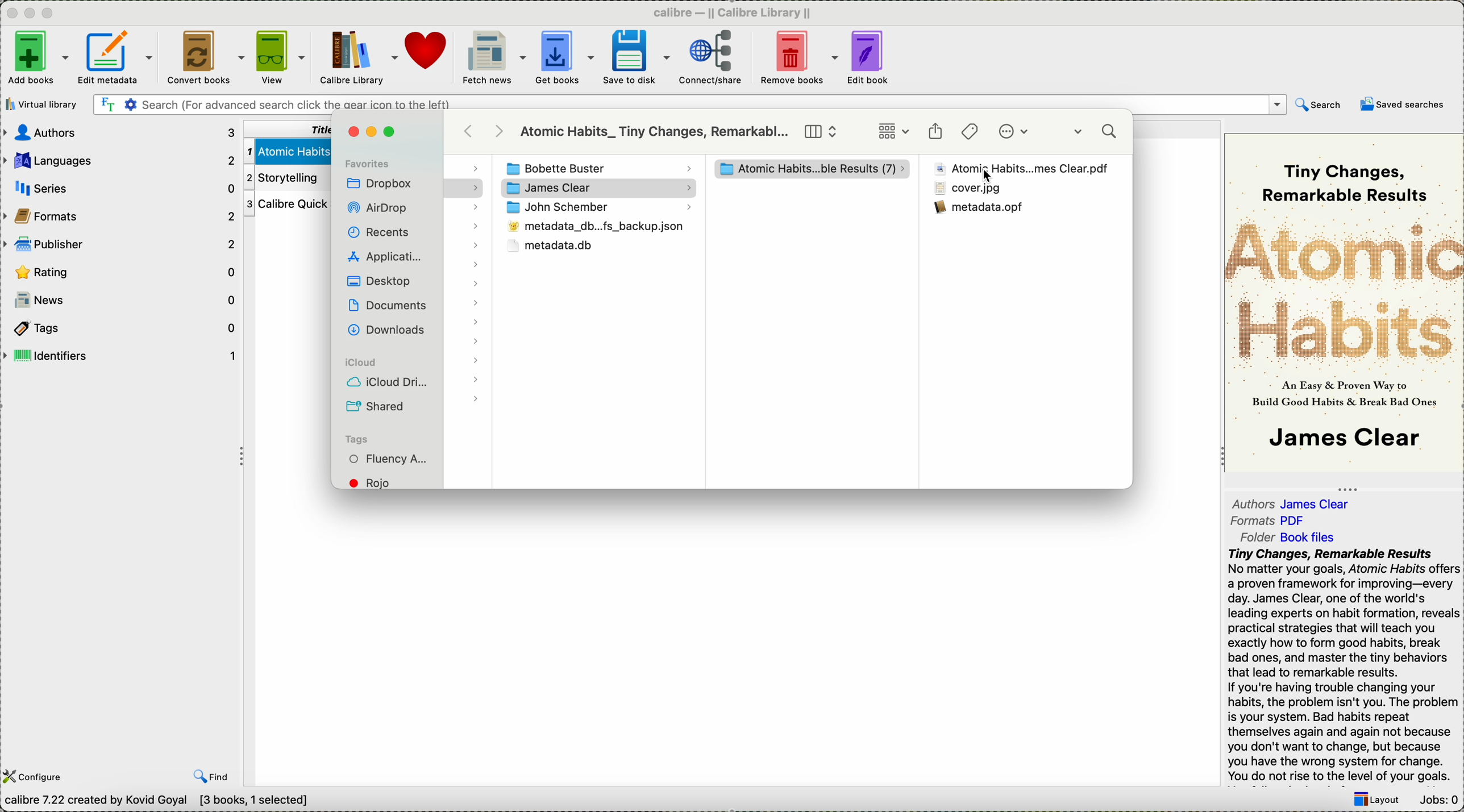  What do you see at coordinates (1344, 302) in the screenshot?
I see `book cover preview` at bounding box center [1344, 302].